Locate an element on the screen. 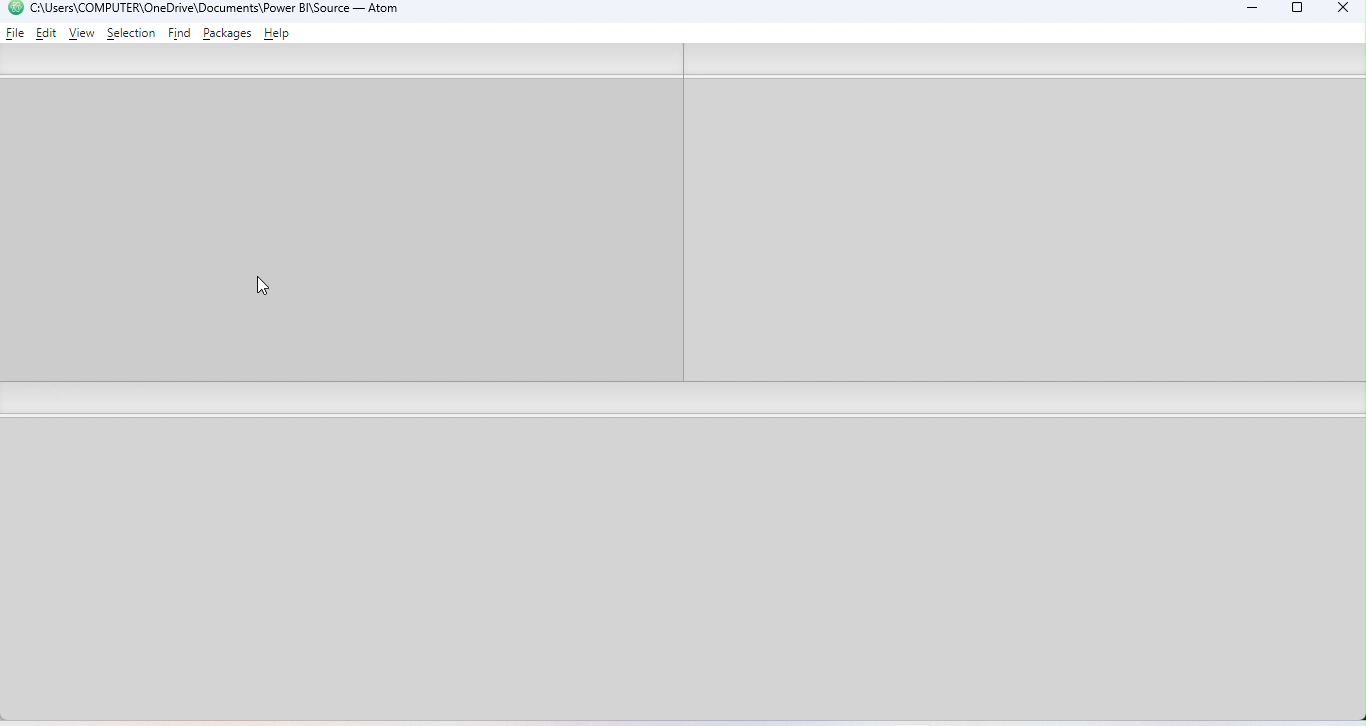 The height and width of the screenshot is (726, 1366). Packages is located at coordinates (230, 33).